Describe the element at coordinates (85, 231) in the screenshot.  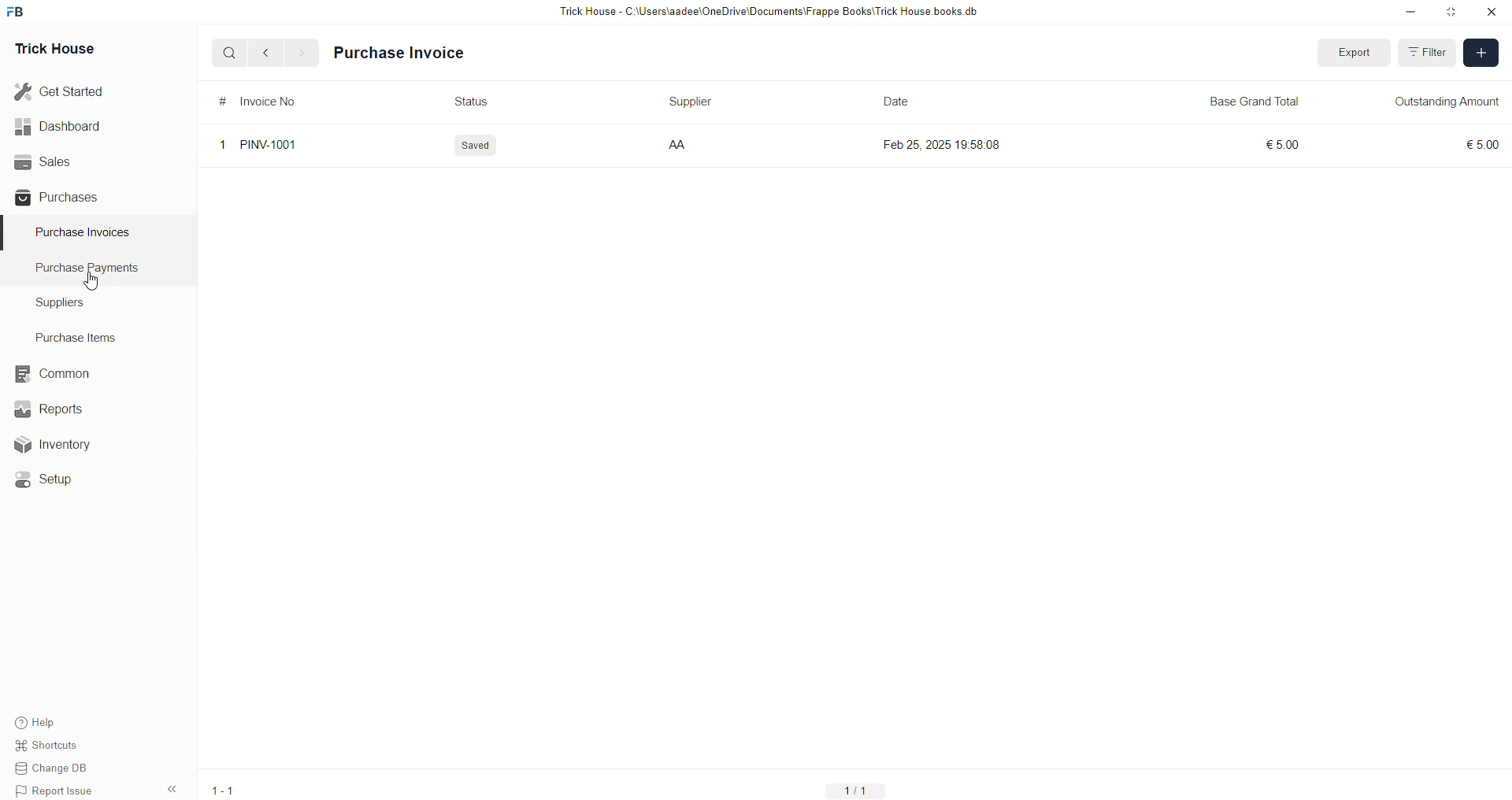
I see `Purchase Invoices` at that location.